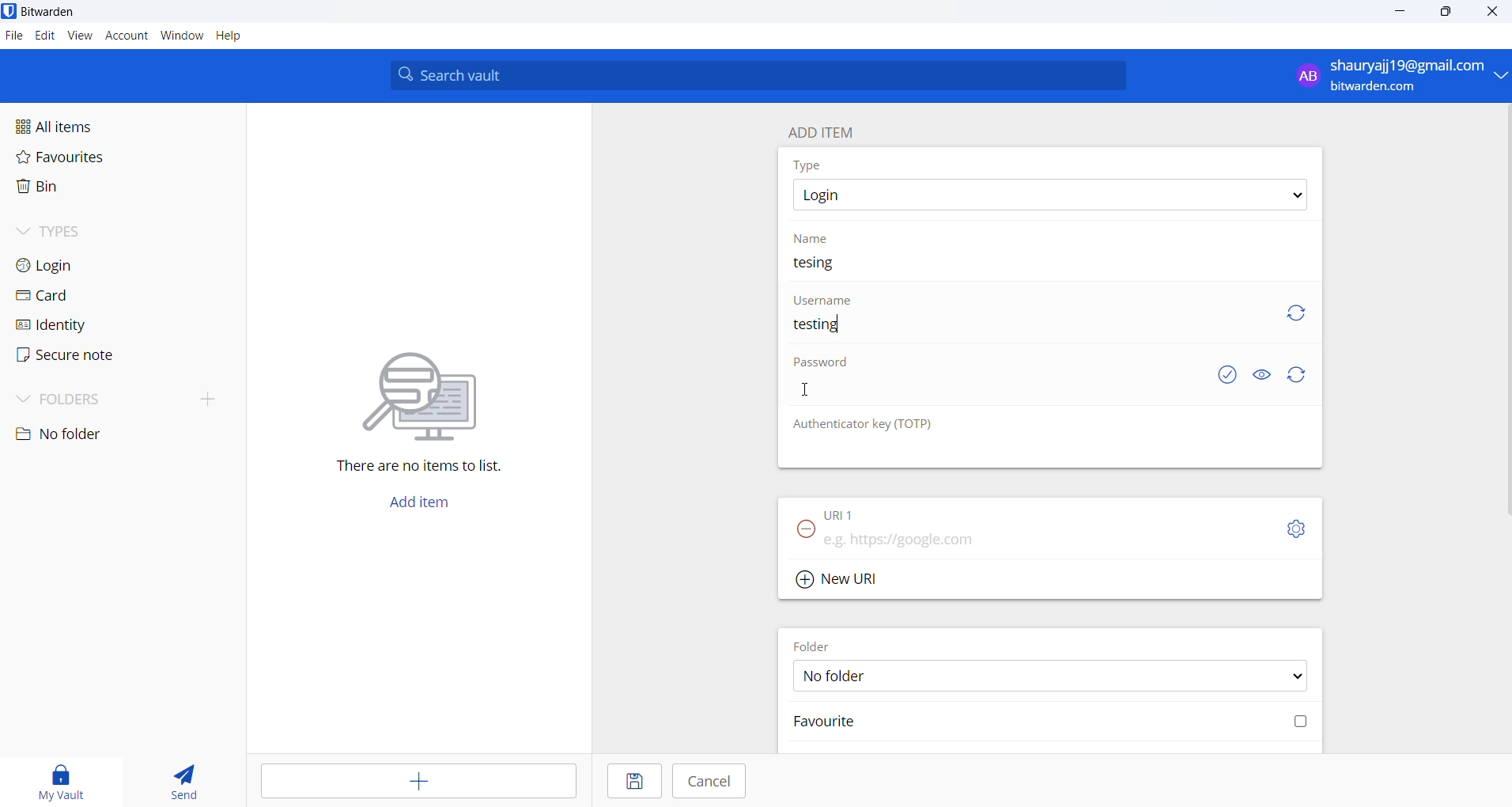 This screenshot has width=1512, height=807. Describe the element at coordinates (1049, 726) in the screenshot. I see `Mark favourite` at that location.